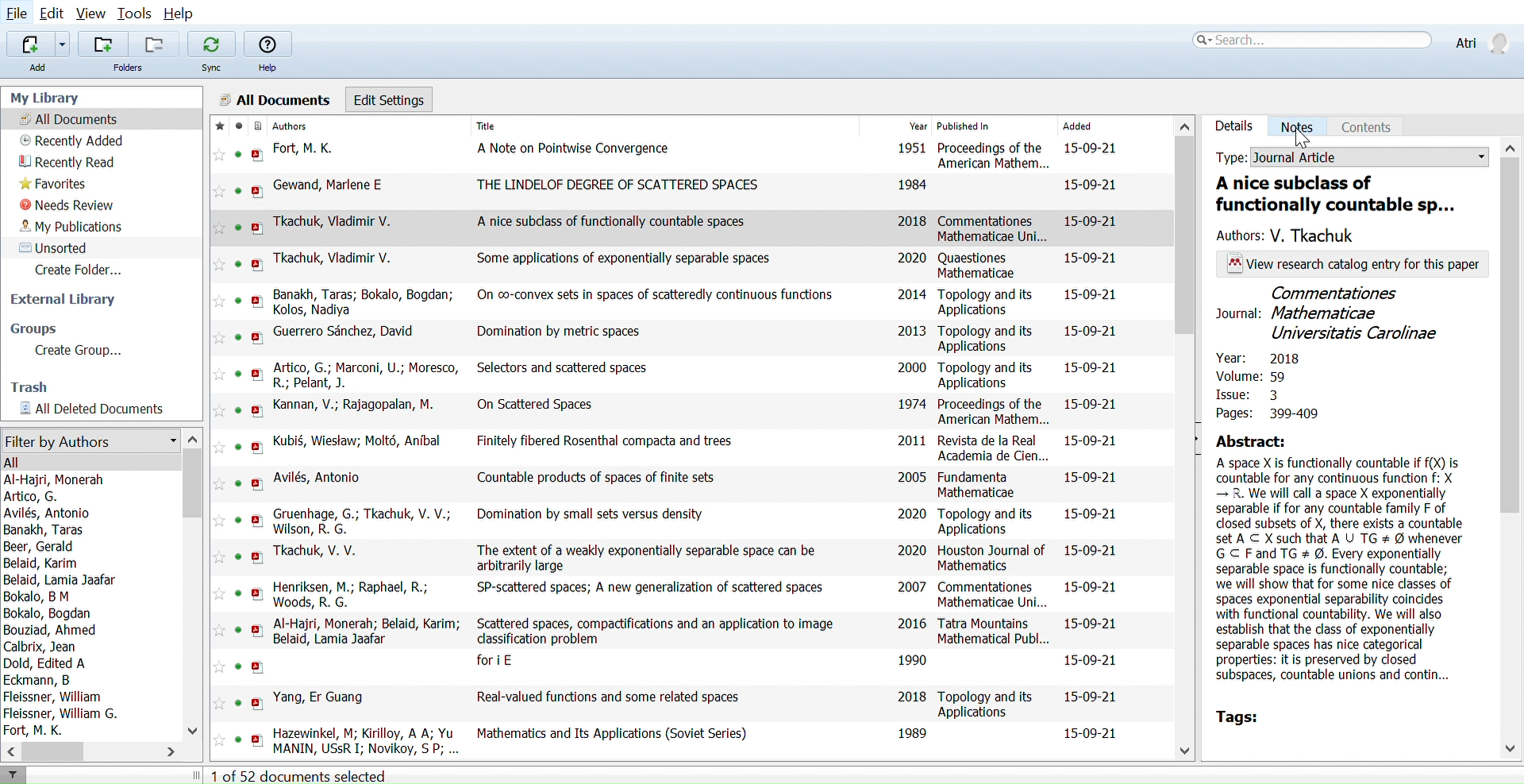 Image resolution: width=1524 pixels, height=784 pixels. Describe the element at coordinates (609, 698) in the screenshot. I see `Real-valued functions and some related spaces` at that location.